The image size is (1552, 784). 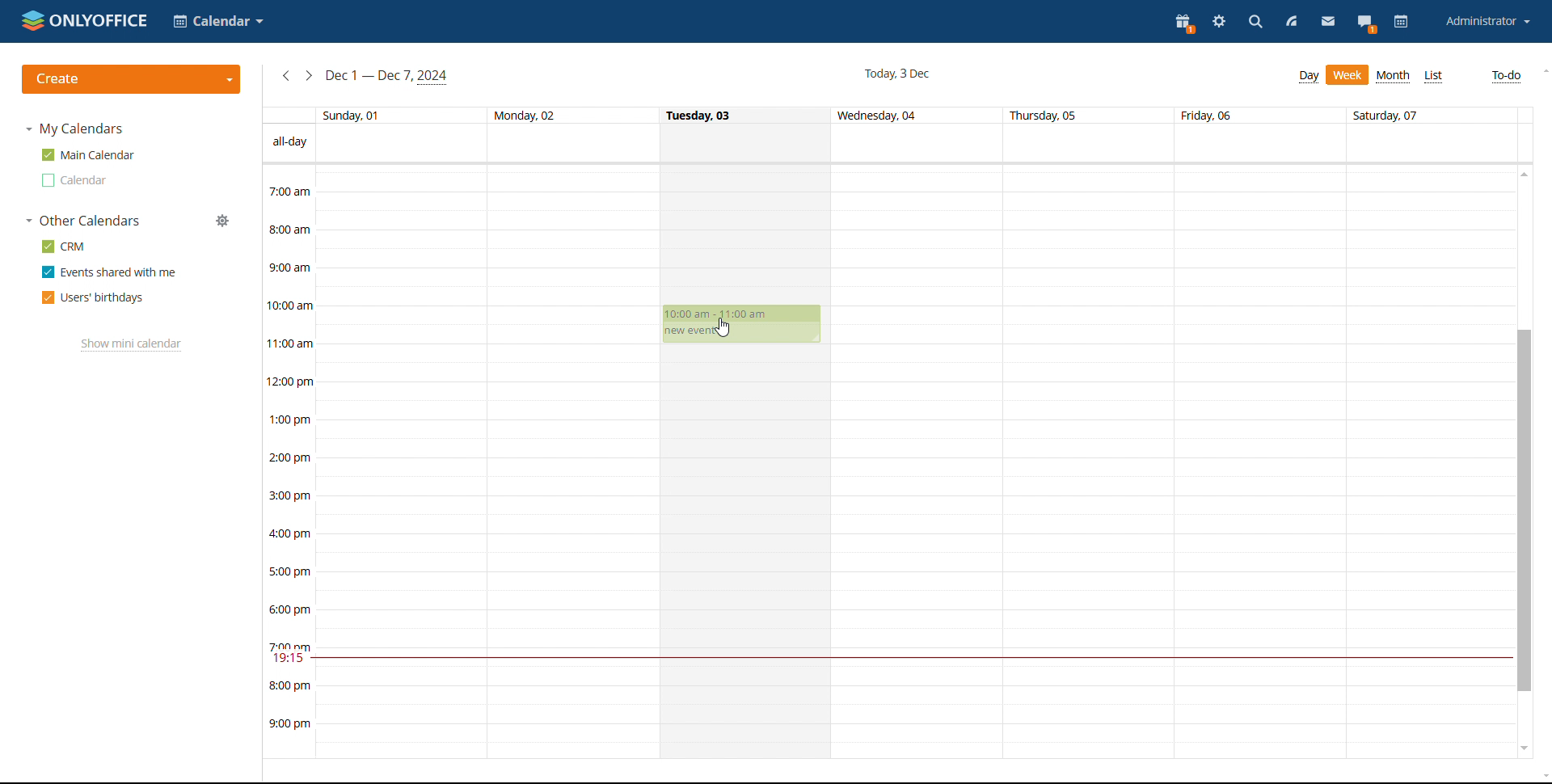 What do you see at coordinates (293, 609) in the screenshot?
I see `6:00 pm` at bounding box center [293, 609].